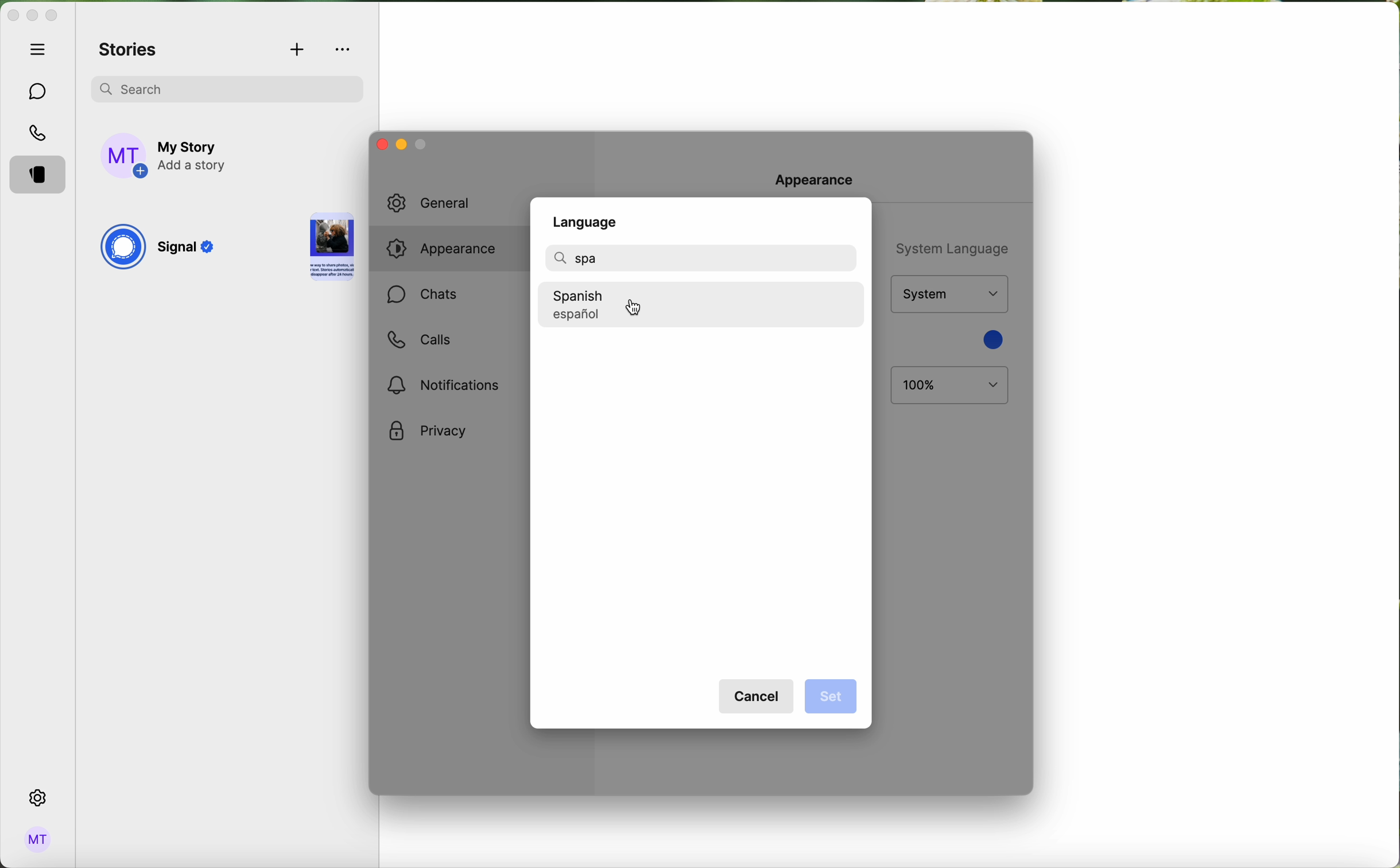 The image size is (1400, 868). I want to click on chats, so click(422, 296).